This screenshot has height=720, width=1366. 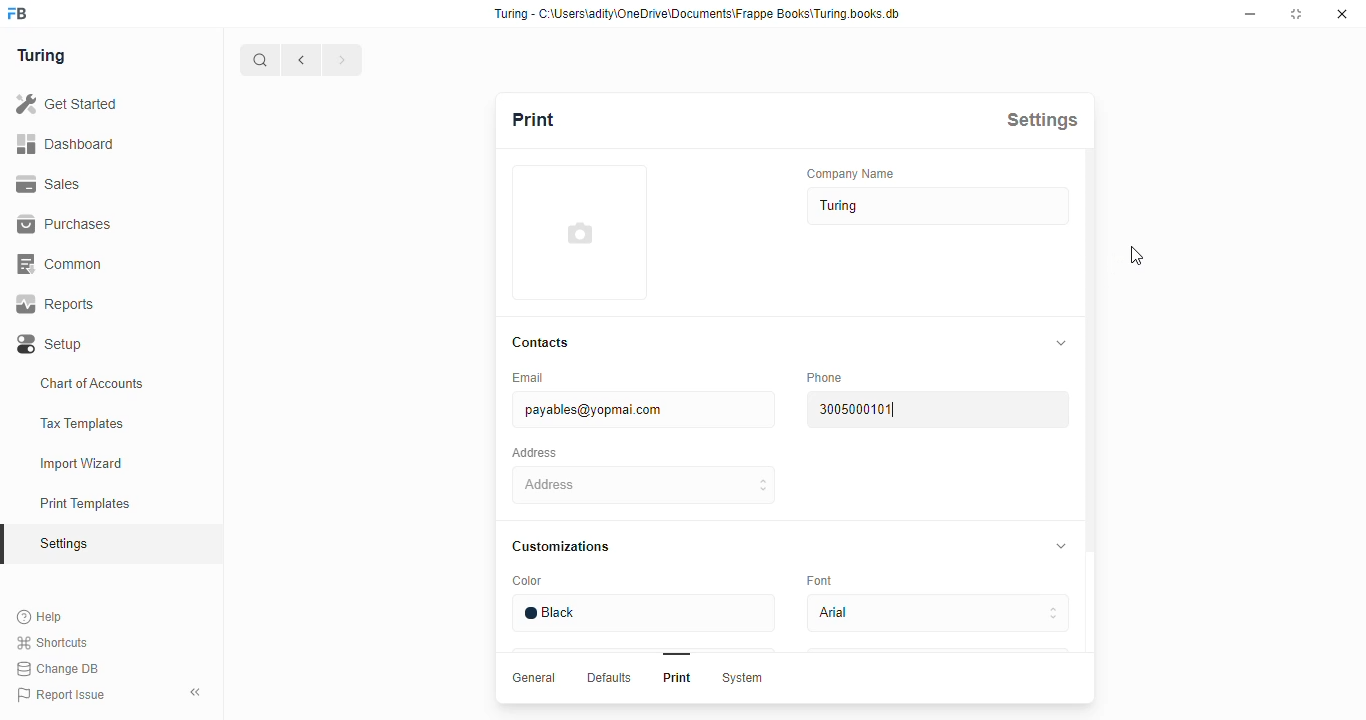 I want to click on Address, so click(x=538, y=452).